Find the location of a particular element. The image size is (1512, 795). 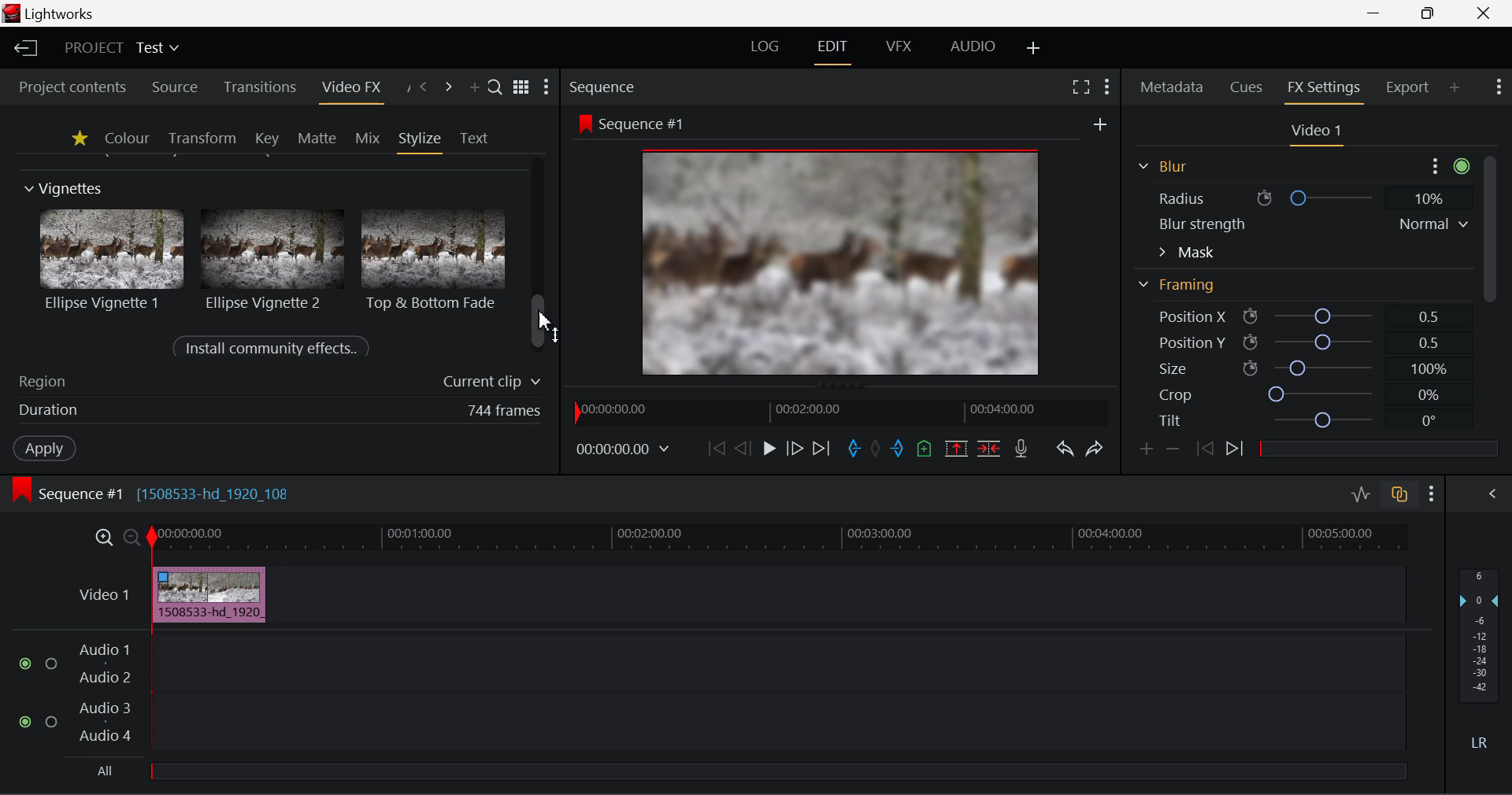

Blur is located at coordinates (1161, 165).